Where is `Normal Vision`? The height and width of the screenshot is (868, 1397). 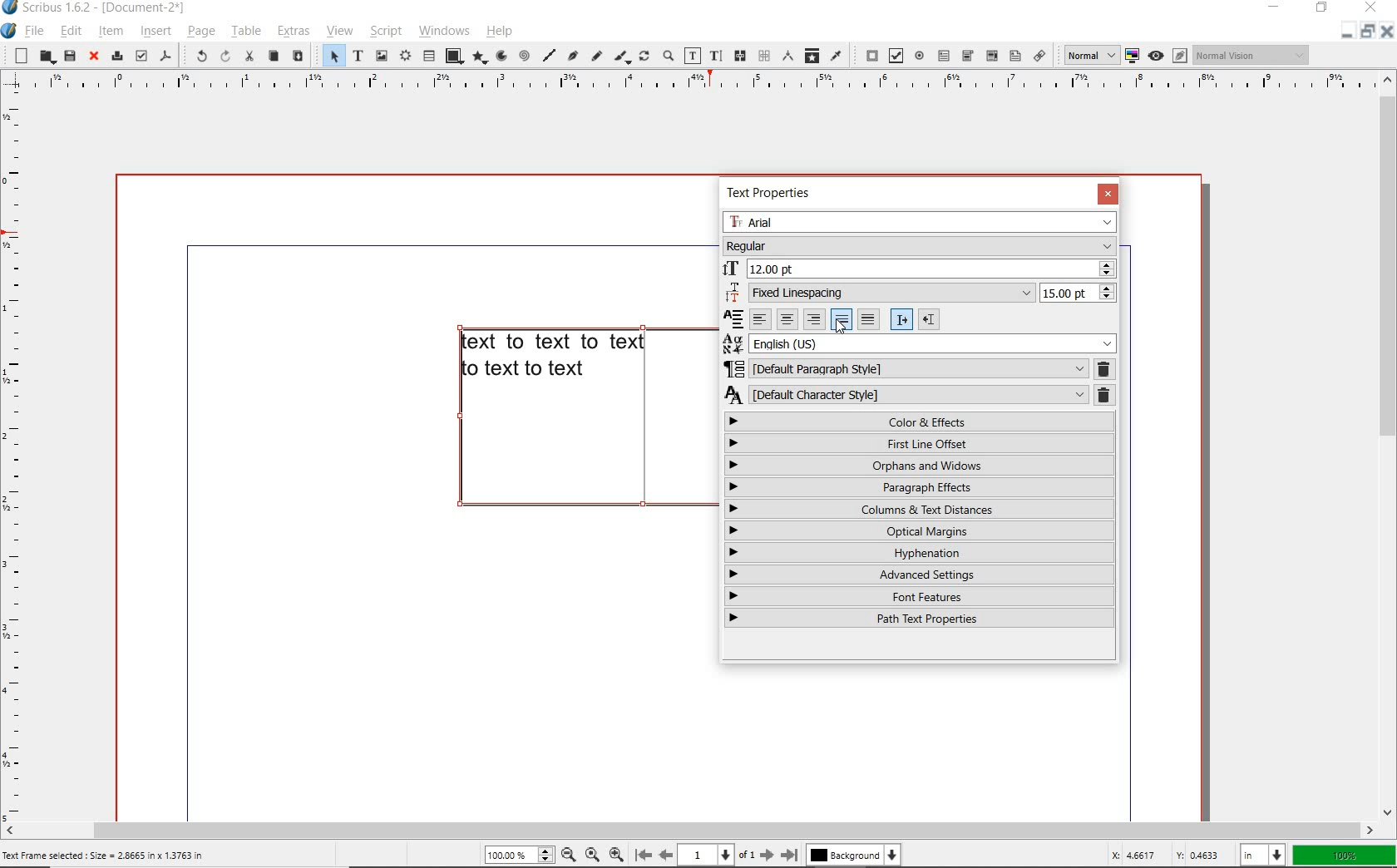 Normal Vision is located at coordinates (1250, 56).